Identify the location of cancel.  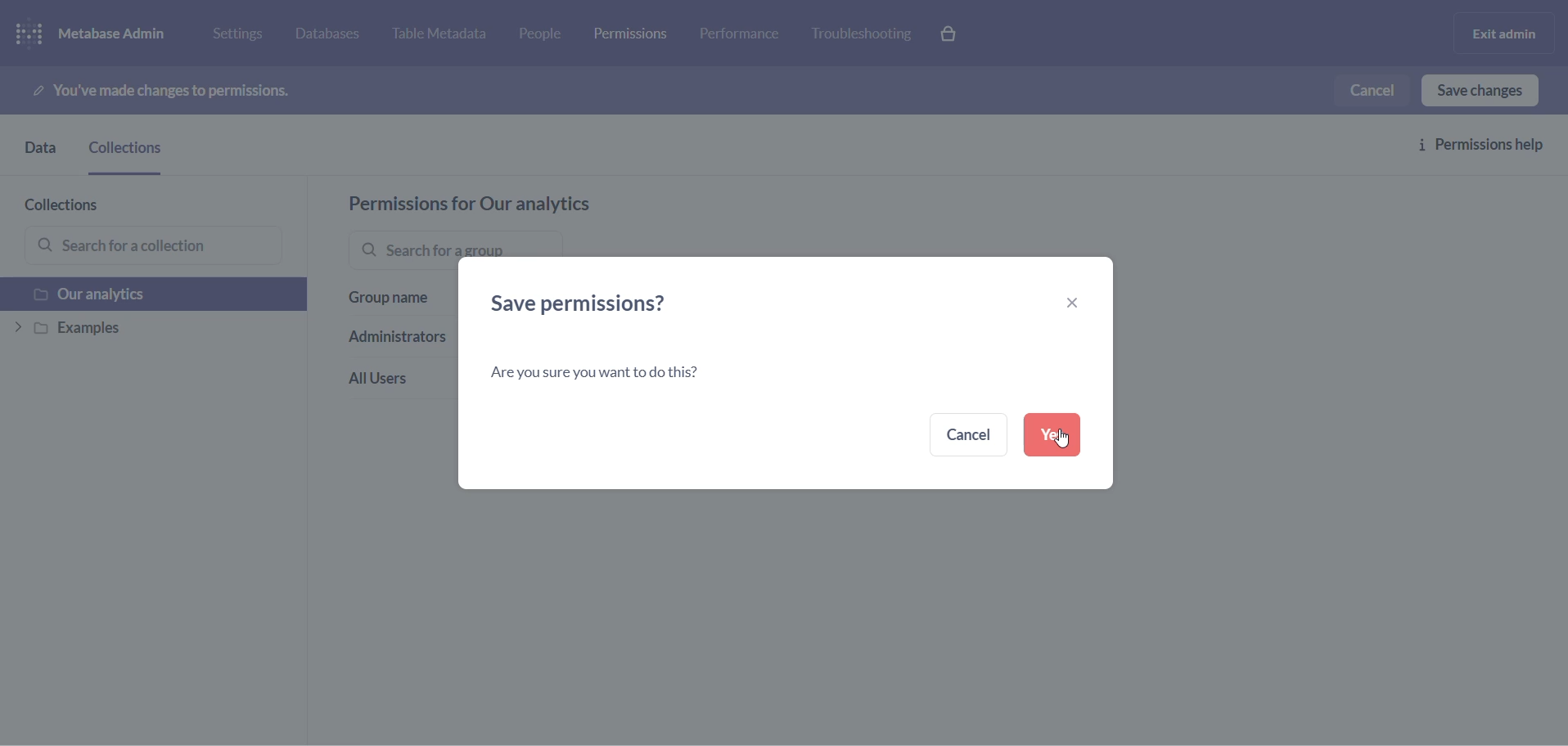
(965, 435).